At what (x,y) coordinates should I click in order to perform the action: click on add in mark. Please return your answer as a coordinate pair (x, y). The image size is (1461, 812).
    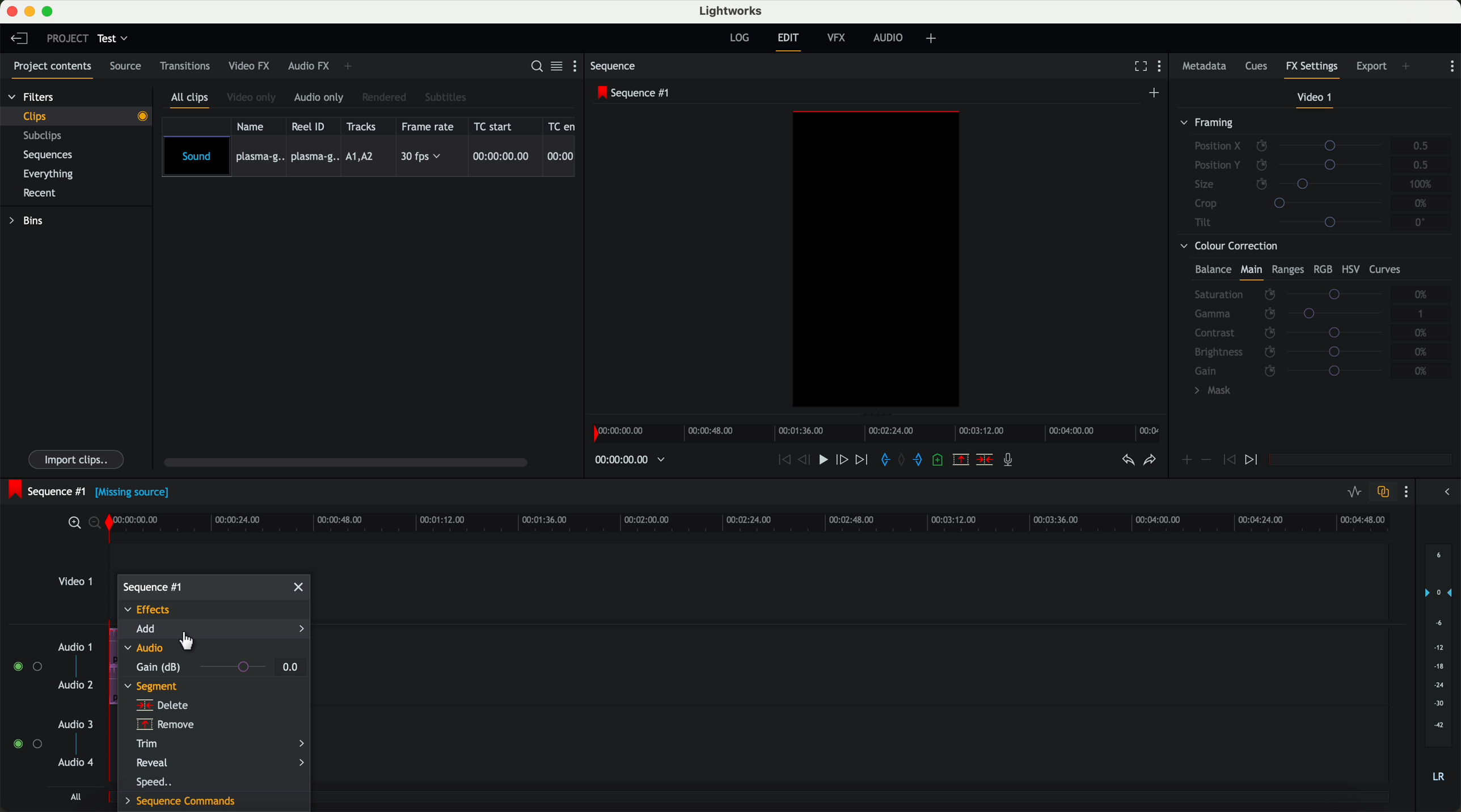
    Looking at the image, I should click on (886, 460).